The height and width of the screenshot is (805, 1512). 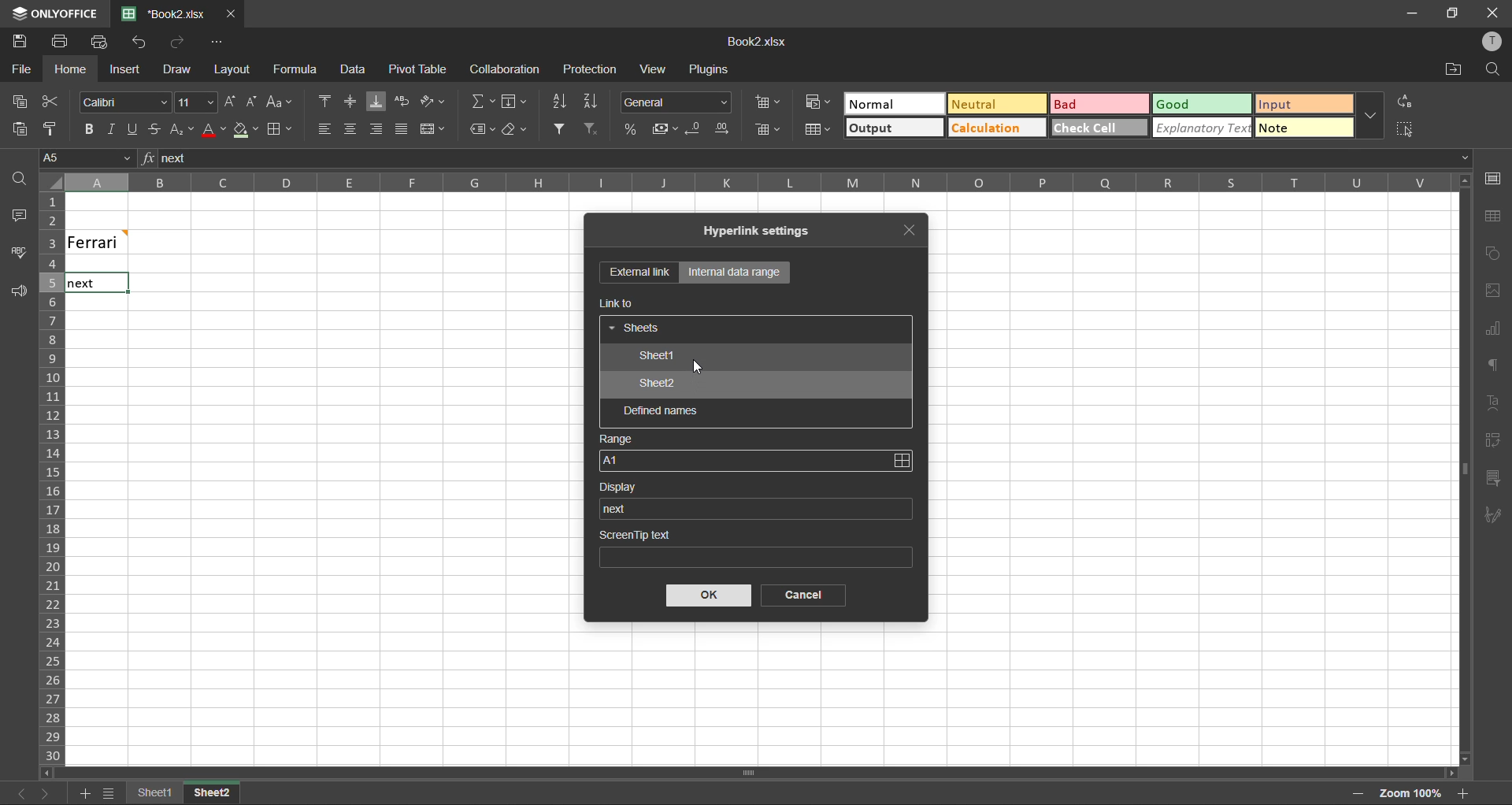 I want to click on screen tip text, so click(x=754, y=546).